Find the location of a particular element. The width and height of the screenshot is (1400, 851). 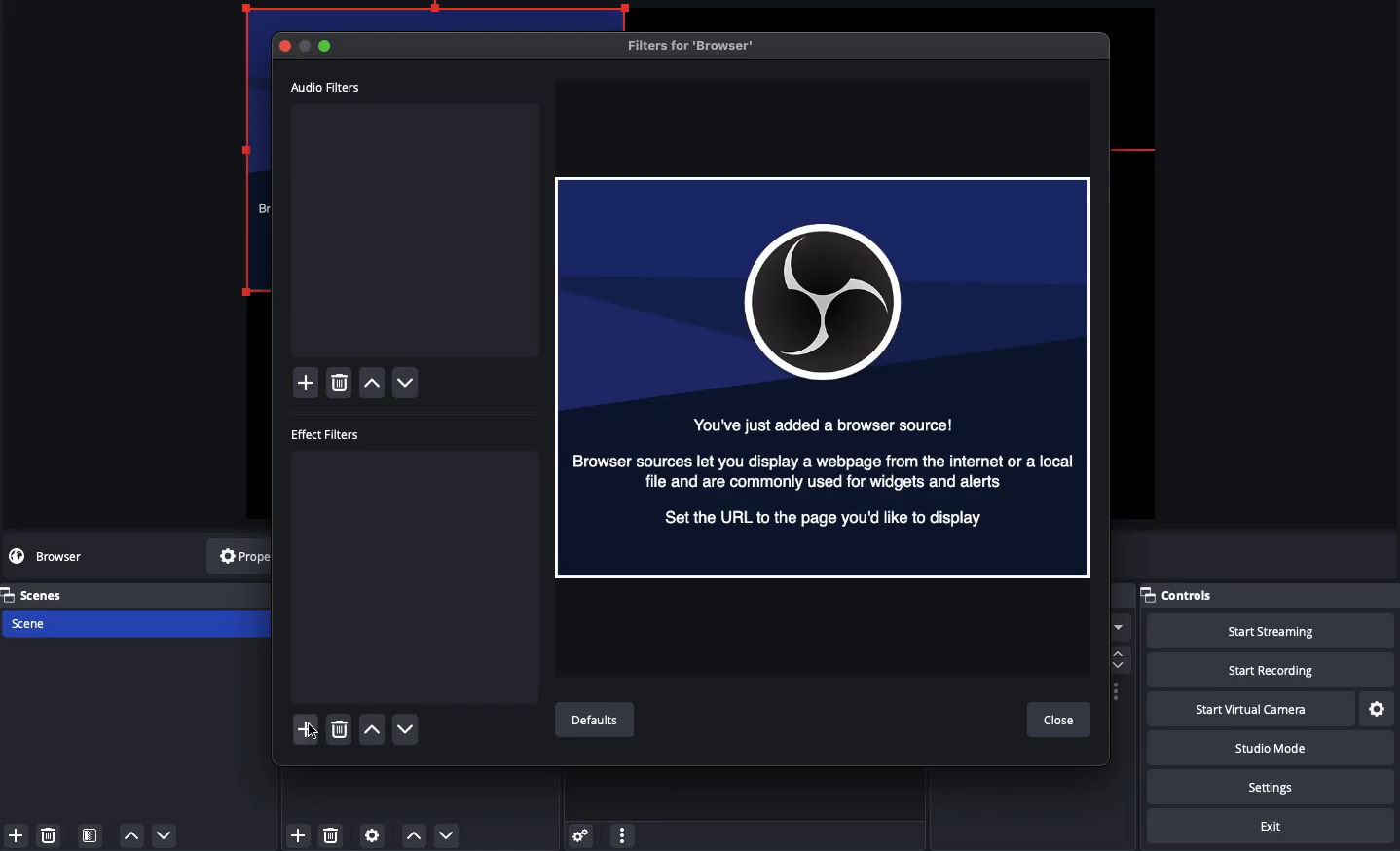

Filters for browser is located at coordinates (696, 45).